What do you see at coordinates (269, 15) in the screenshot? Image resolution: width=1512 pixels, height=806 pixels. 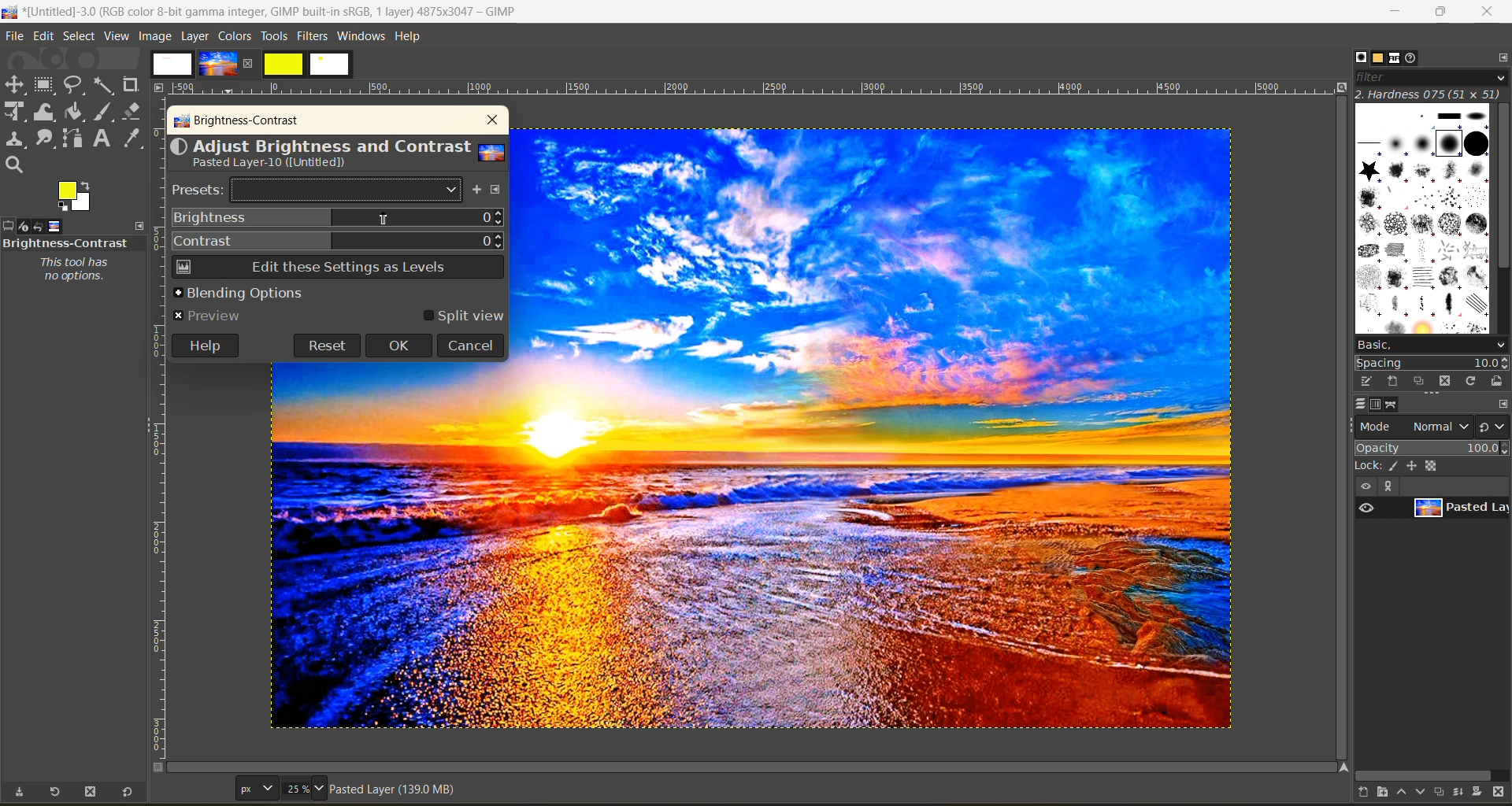 I see `file name and app title` at bounding box center [269, 15].